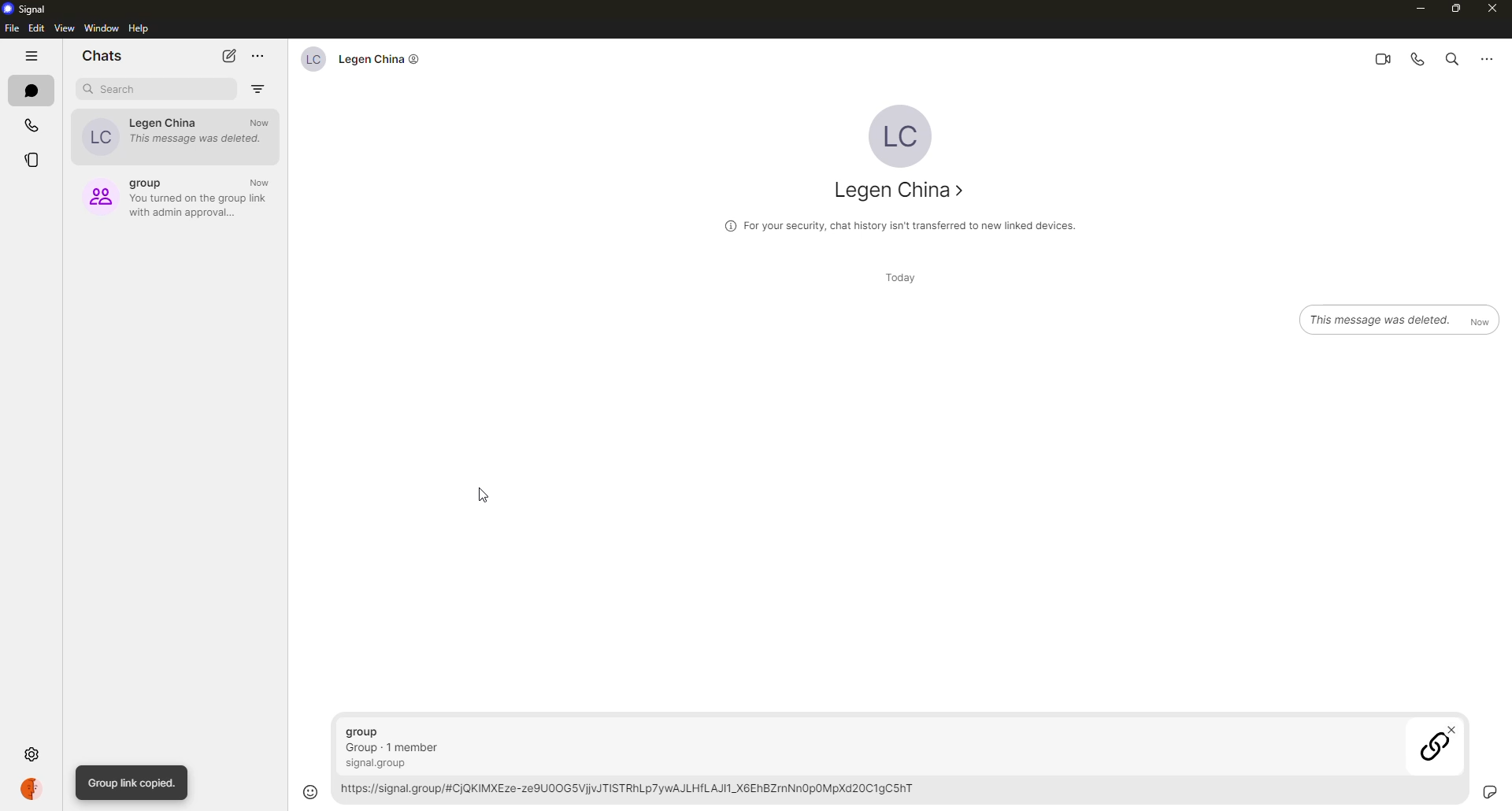 The image size is (1512, 811). What do you see at coordinates (1413, 8) in the screenshot?
I see `minimize` at bounding box center [1413, 8].